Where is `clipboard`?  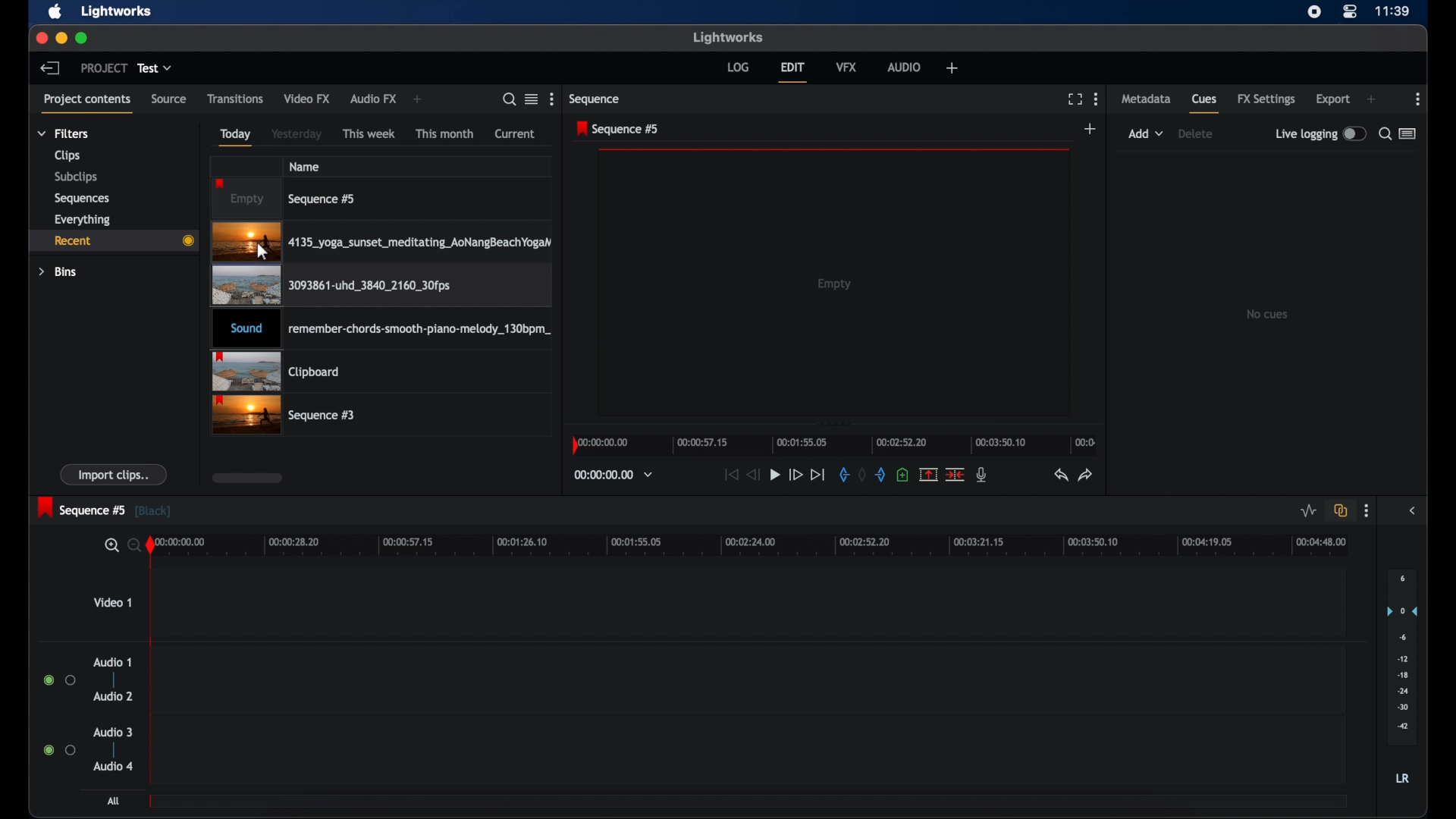 clipboard is located at coordinates (276, 371).